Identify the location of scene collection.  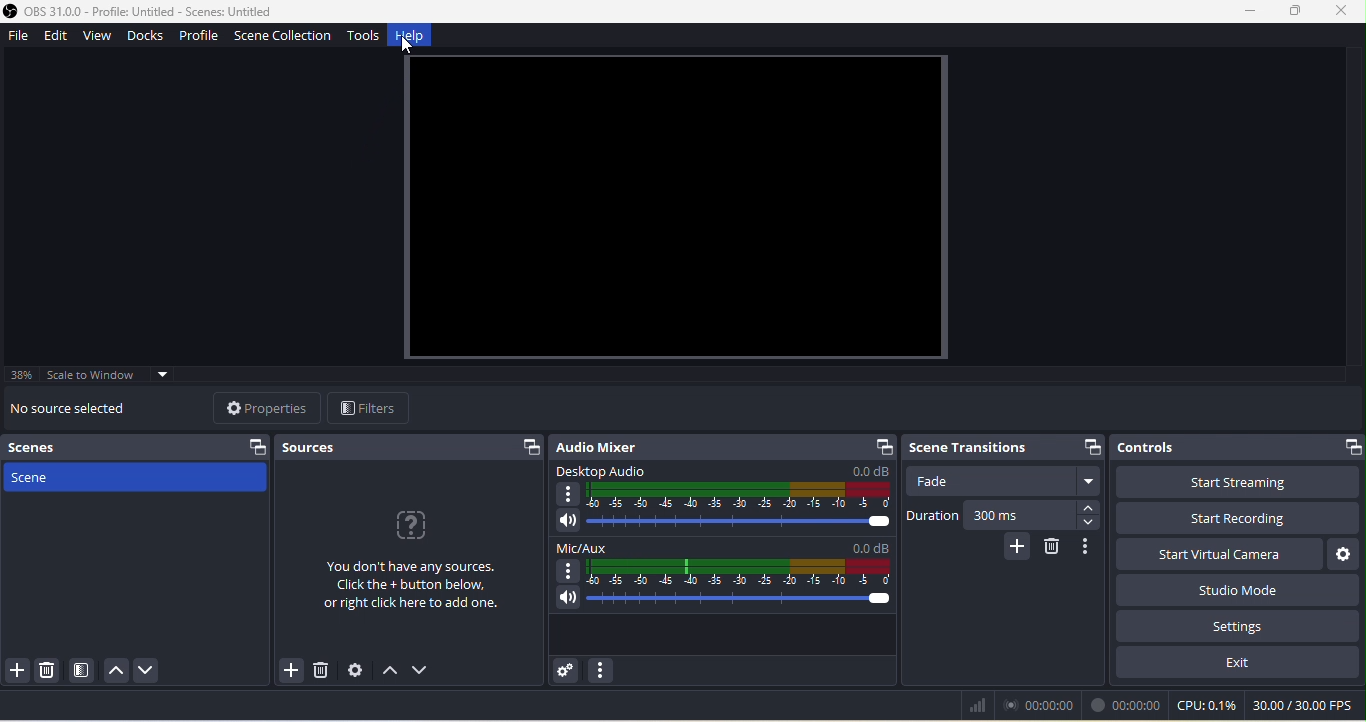
(281, 38).